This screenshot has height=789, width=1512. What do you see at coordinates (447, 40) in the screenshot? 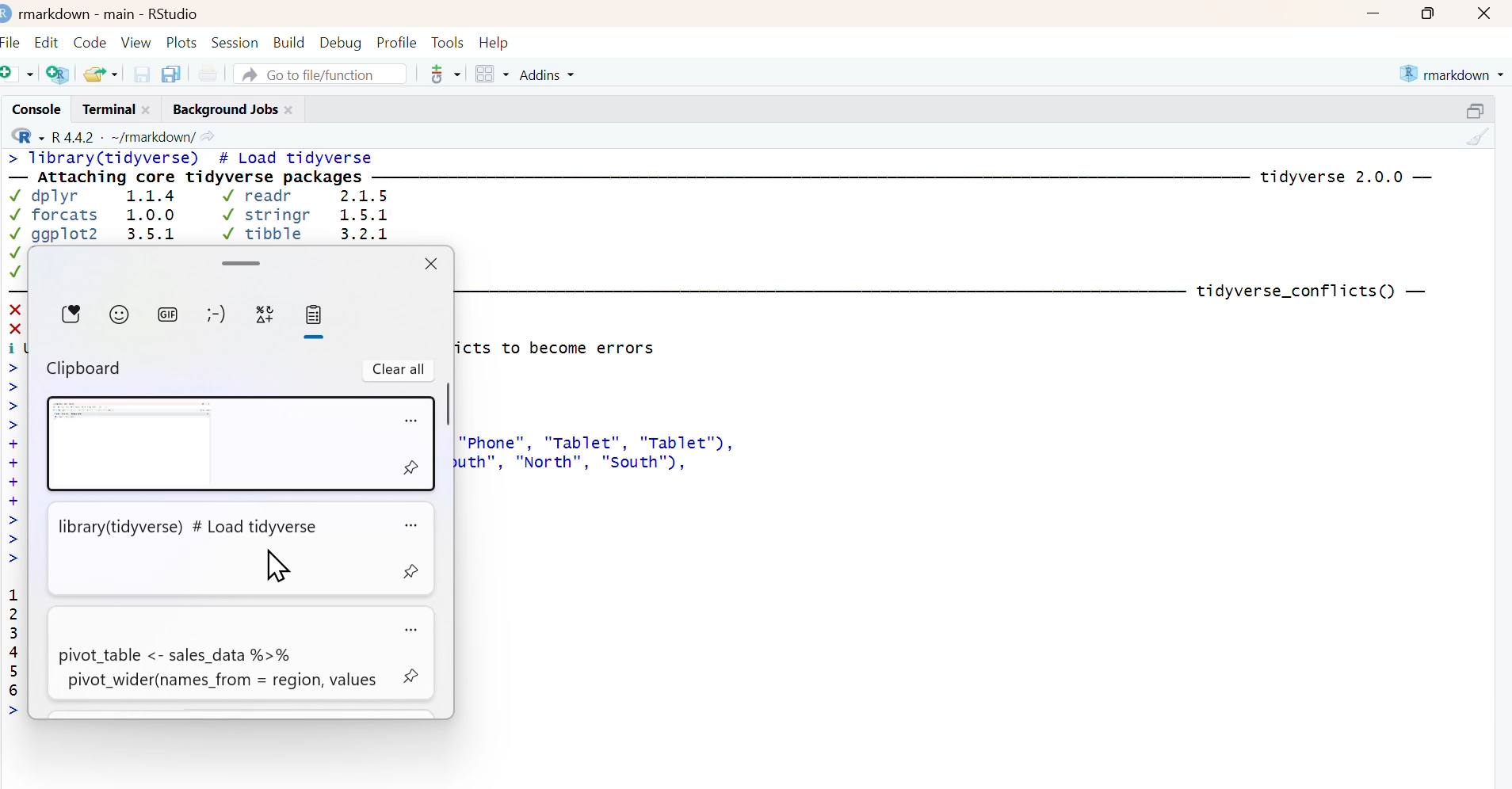
I see `Tools` at bounding box center [447, 40].